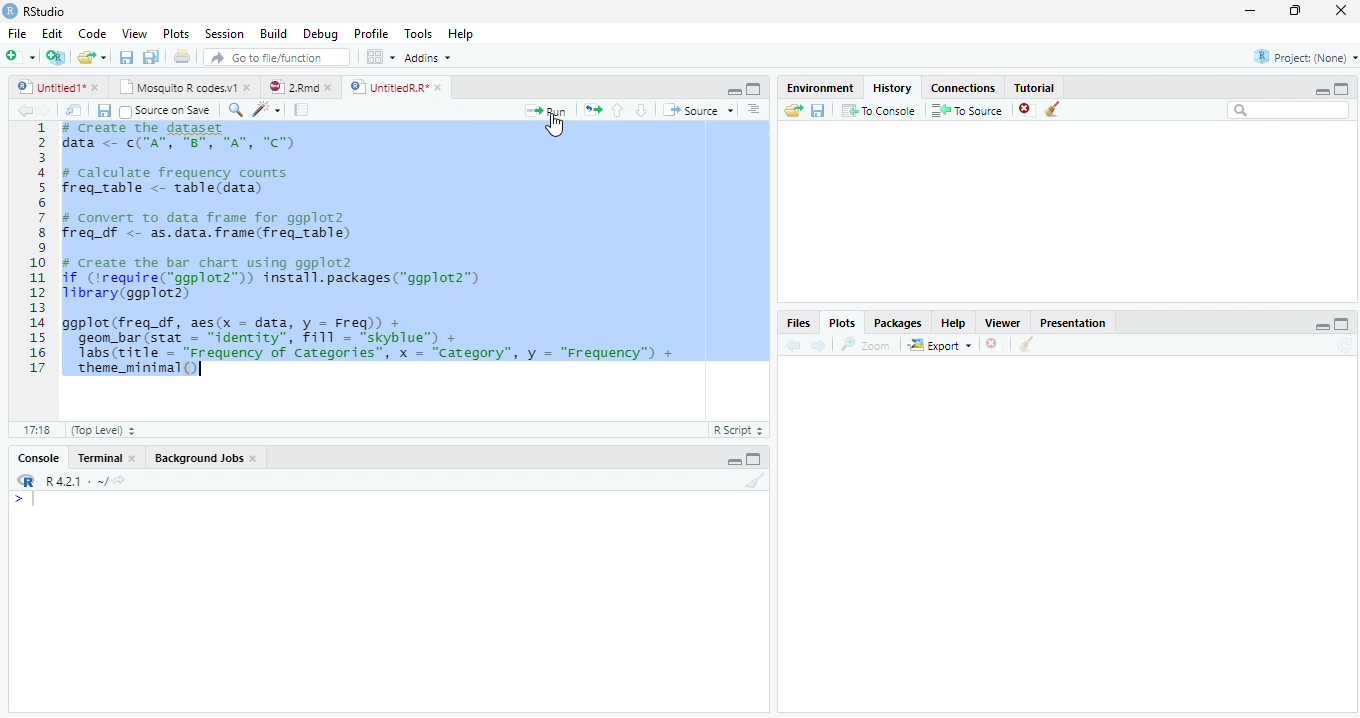 Image resolution: width=1360 pixels, height=718 pixels. Describe the element at coordinates (790, 112) in the screenshot. I see `Load workspace` at that location.